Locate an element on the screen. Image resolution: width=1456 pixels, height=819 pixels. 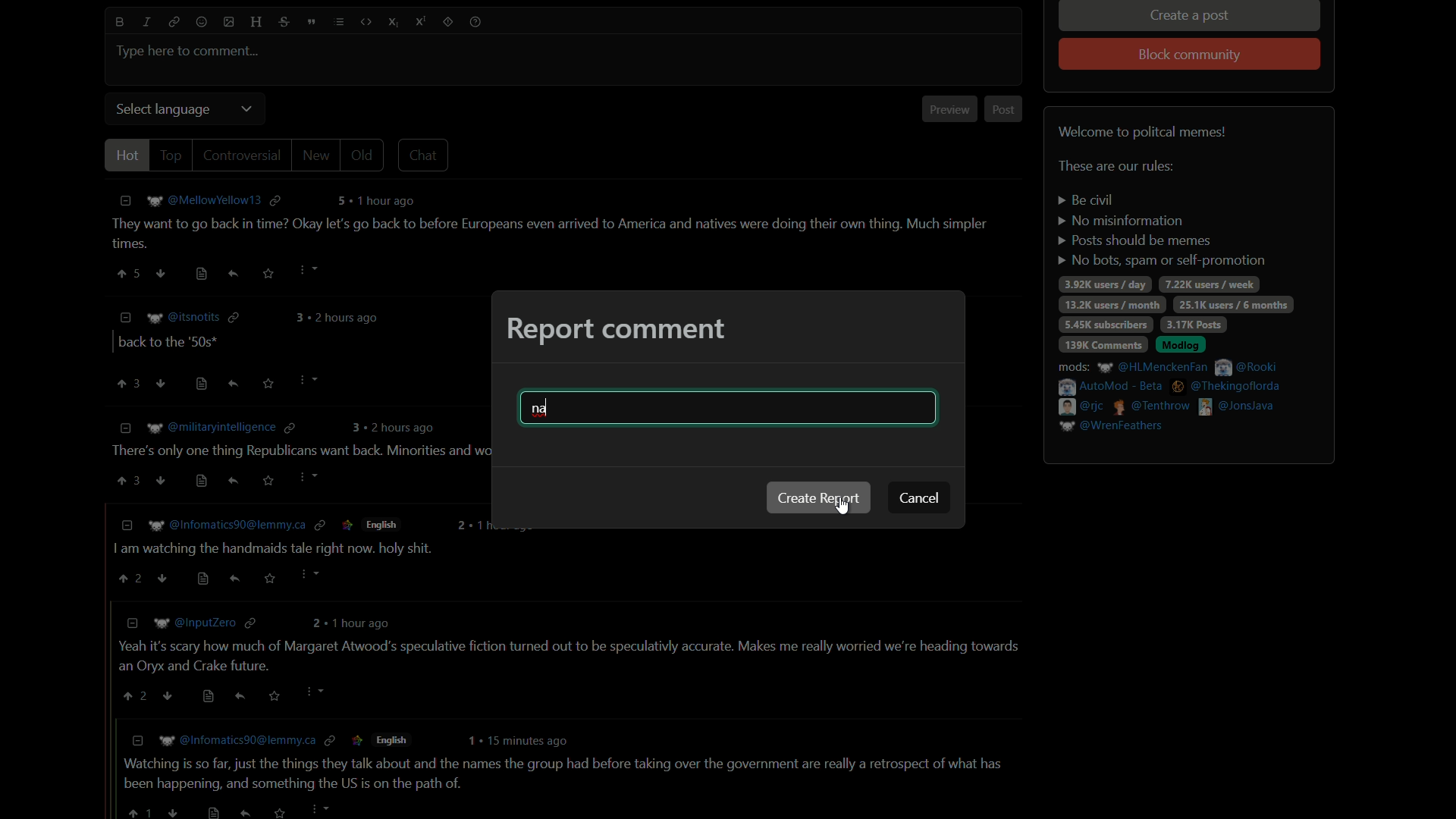
list is located at coordinates (337, 22).